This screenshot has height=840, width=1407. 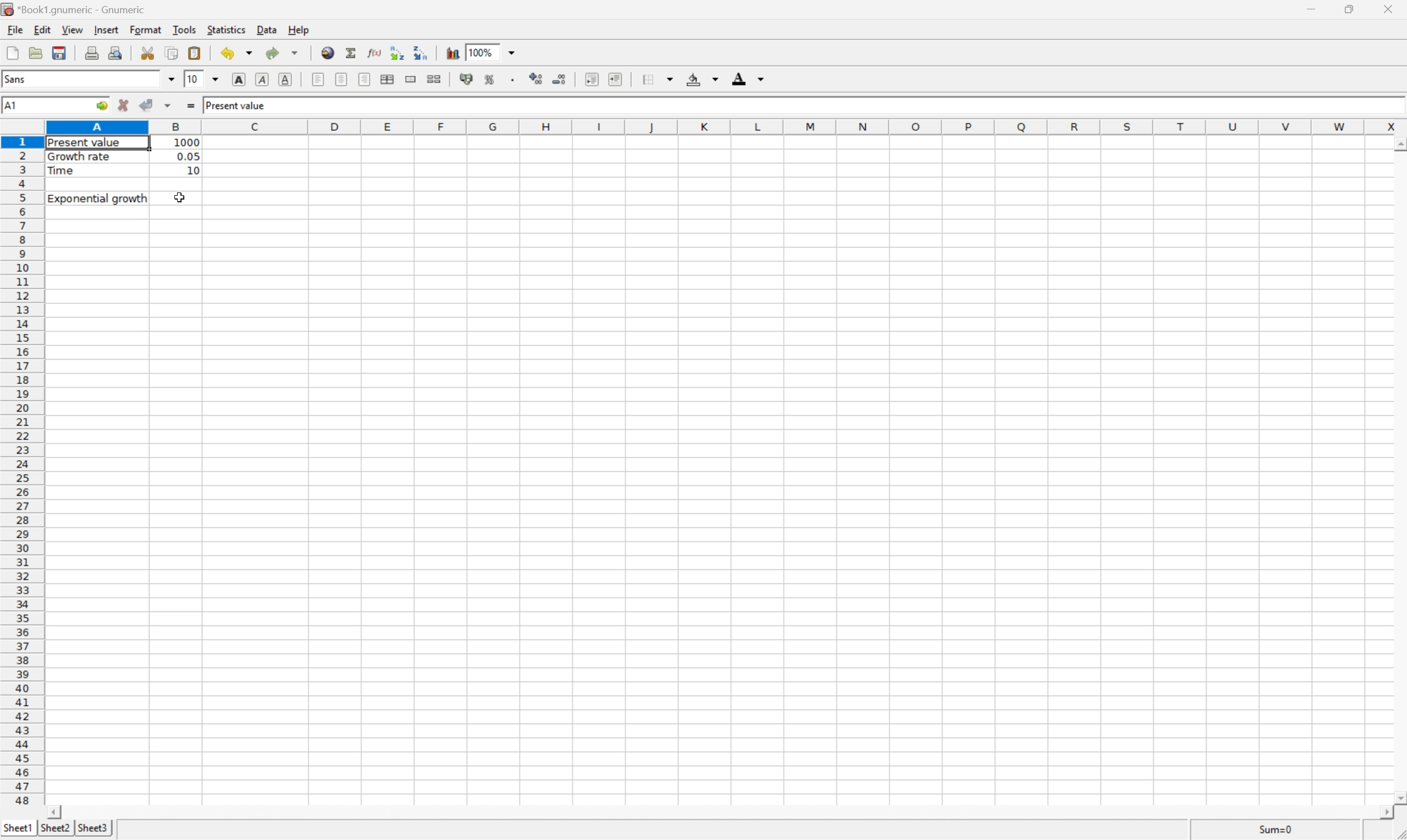 I want to click on Edit a function in the current cell, so click(x=375, y=52).